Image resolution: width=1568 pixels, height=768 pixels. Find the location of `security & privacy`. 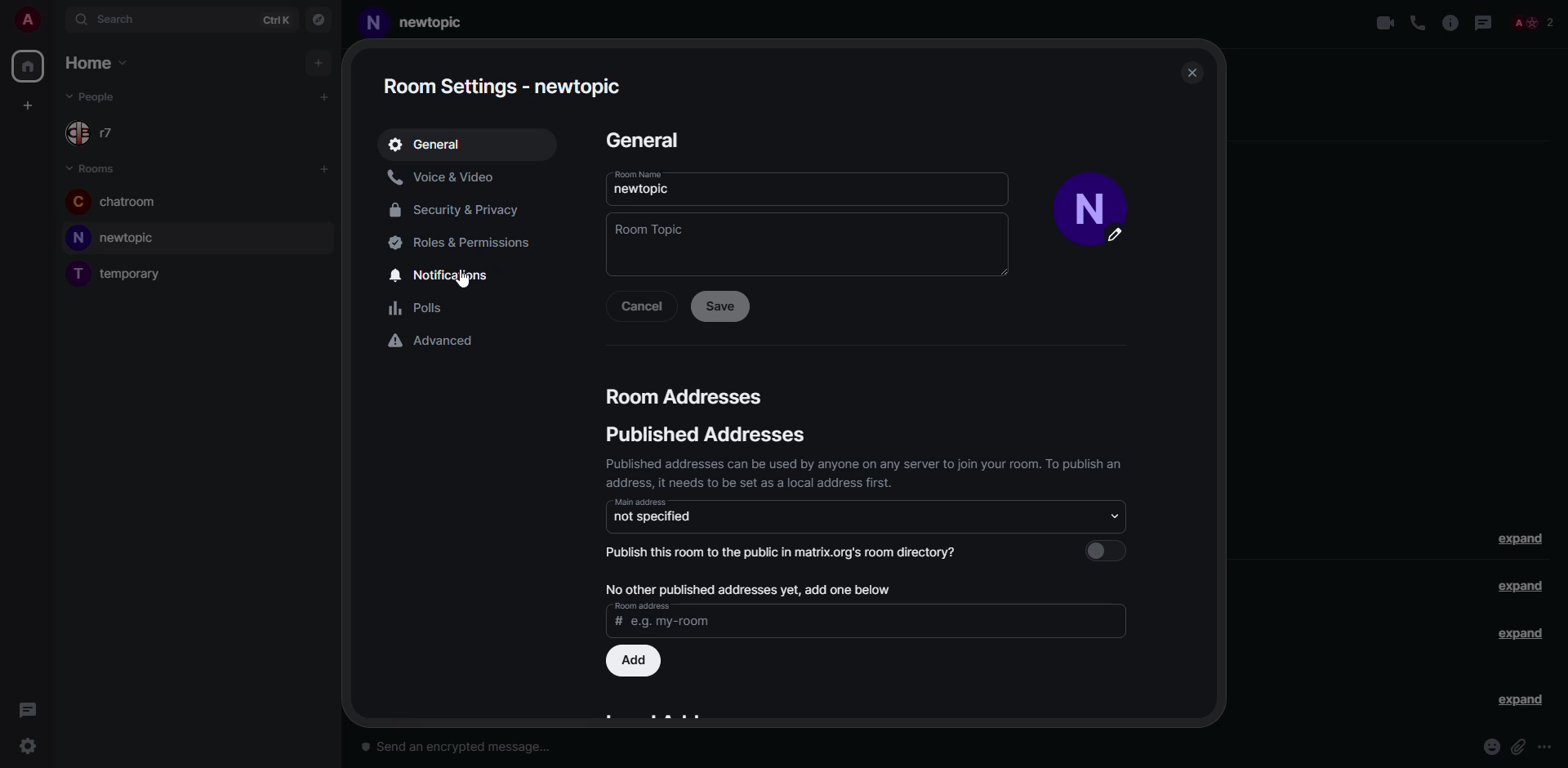

security & privacy is located at coordinates (457, 209).